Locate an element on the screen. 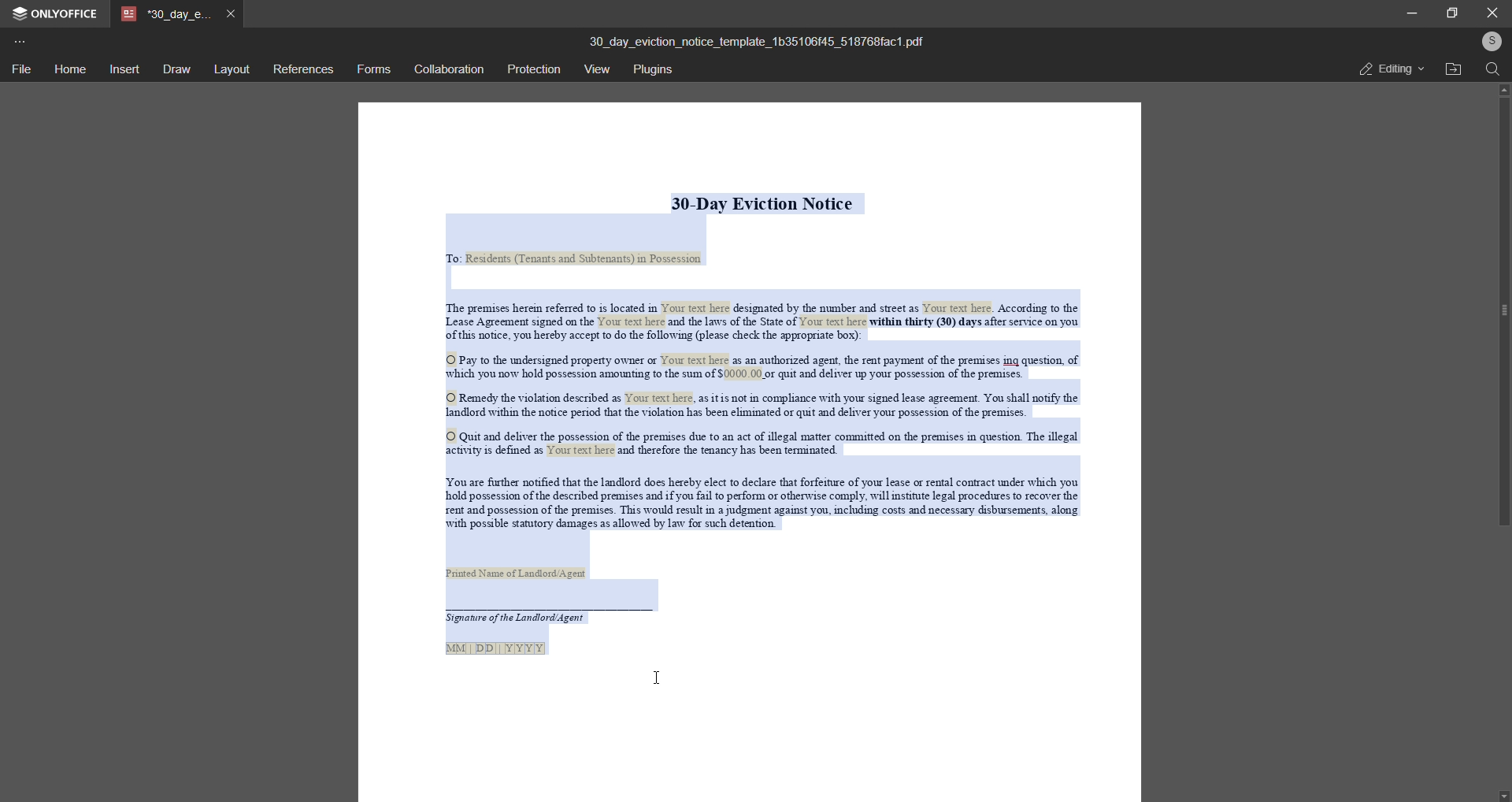 The width and height of the screenshot is (1512, 802). close tab is located at coordinates (234, 13).